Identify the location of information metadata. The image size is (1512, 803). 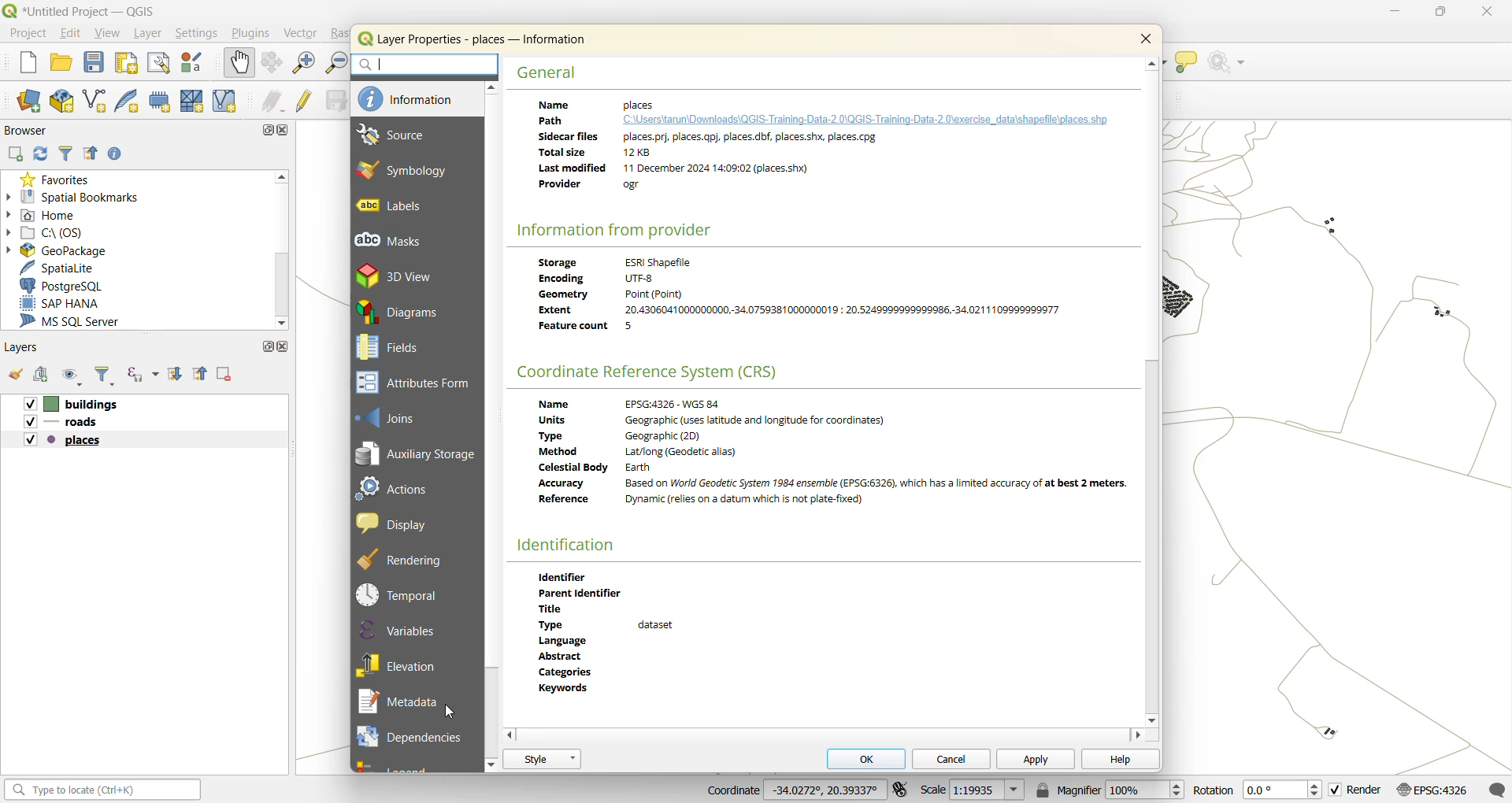
(806, 299).